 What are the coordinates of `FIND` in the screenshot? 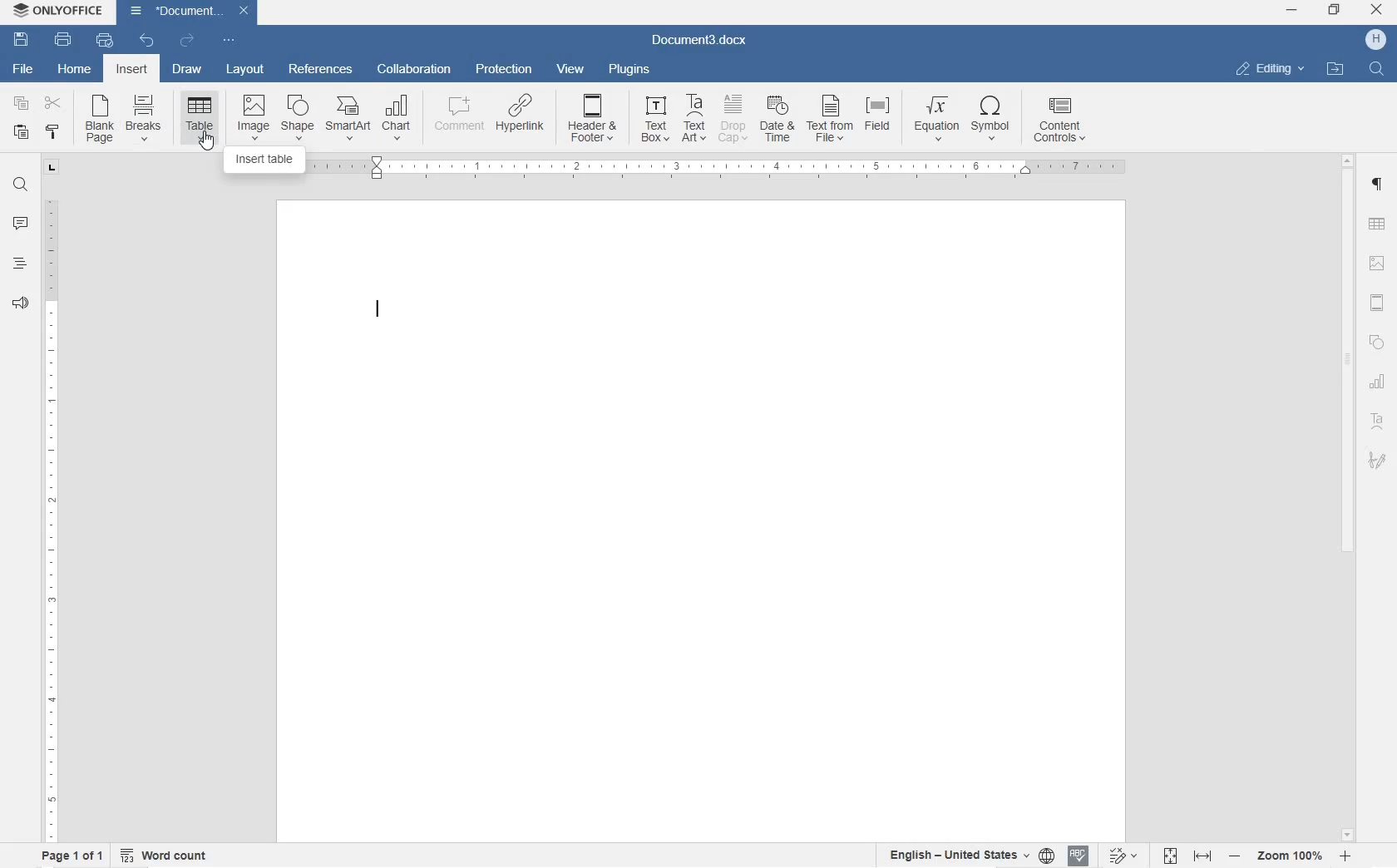 It's located at (19, 187).